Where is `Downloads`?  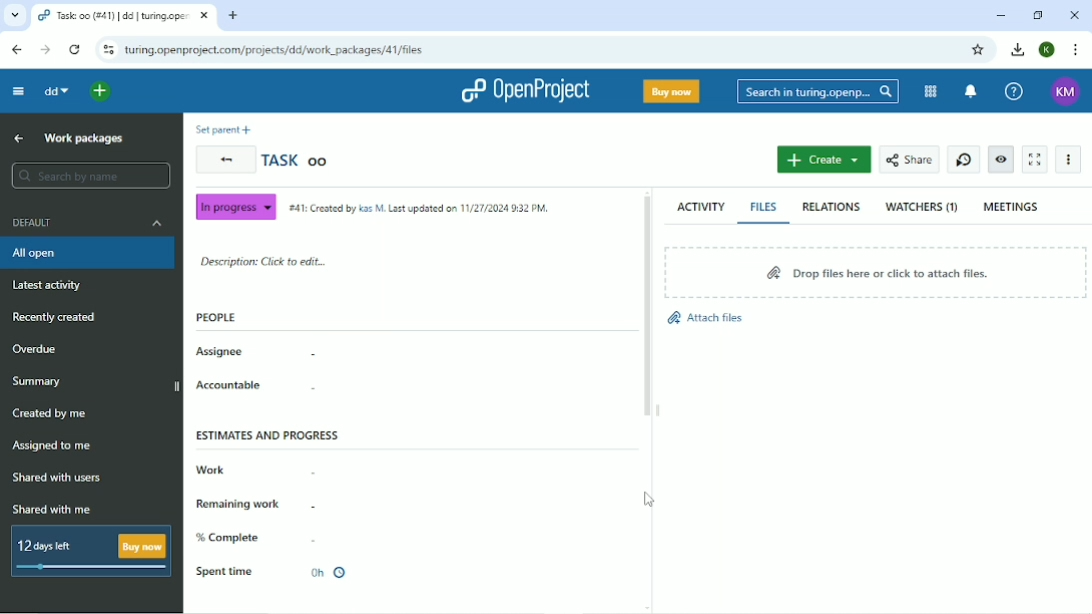 Downloads is located at coordinates (1019, 50).